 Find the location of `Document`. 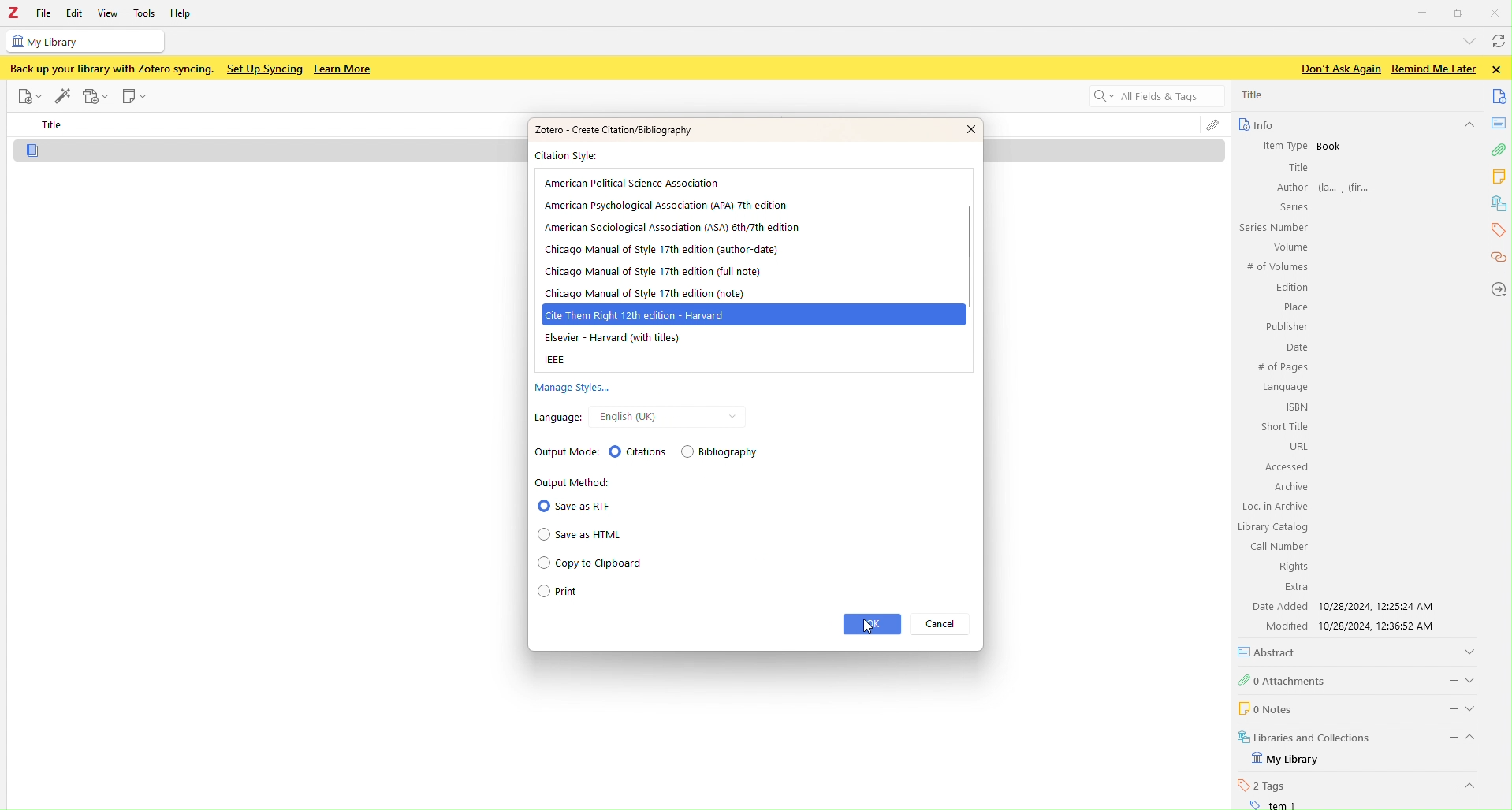

Document is located at coordinates (272, 151).